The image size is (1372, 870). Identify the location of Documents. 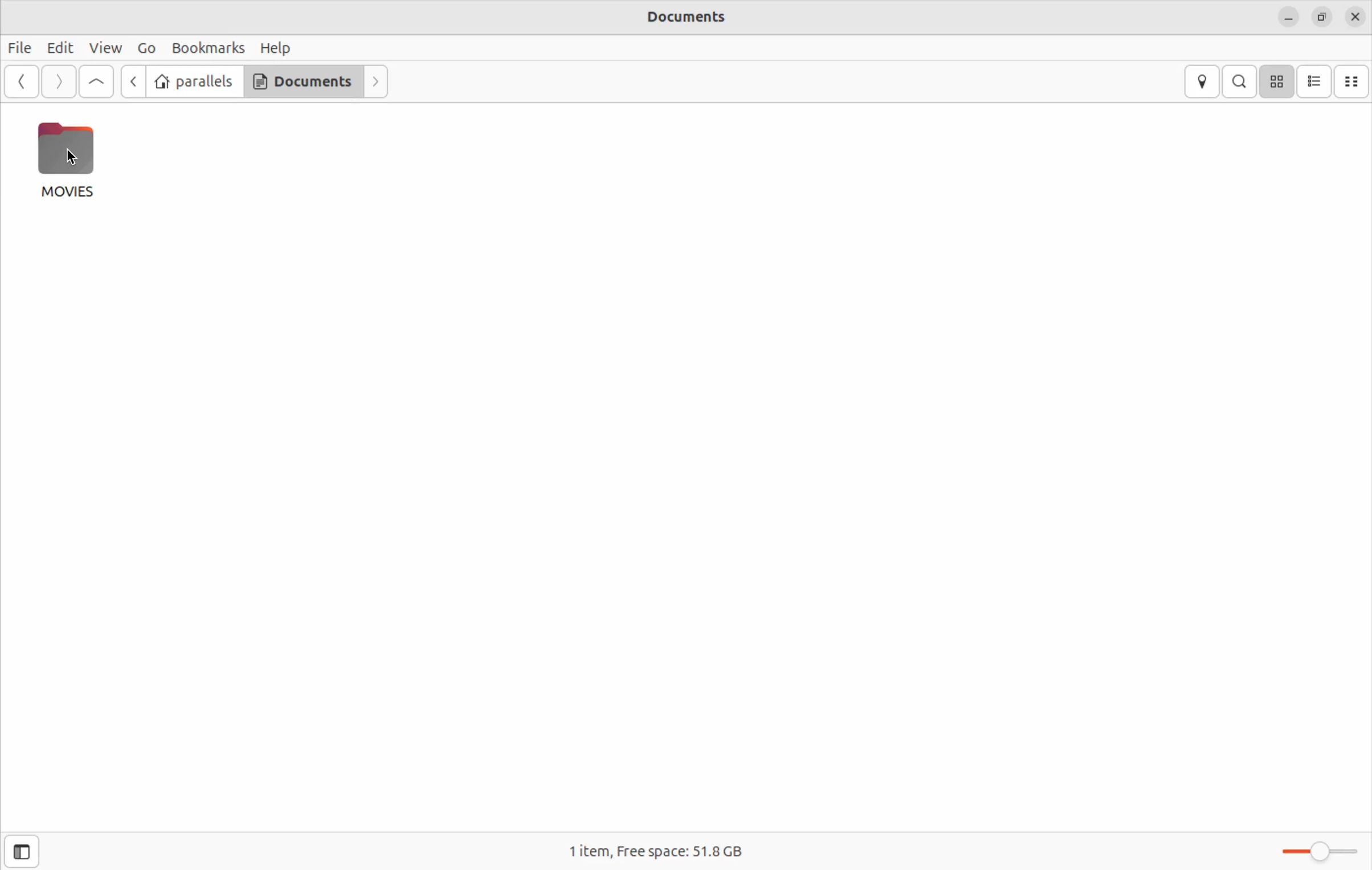
(303, 80).